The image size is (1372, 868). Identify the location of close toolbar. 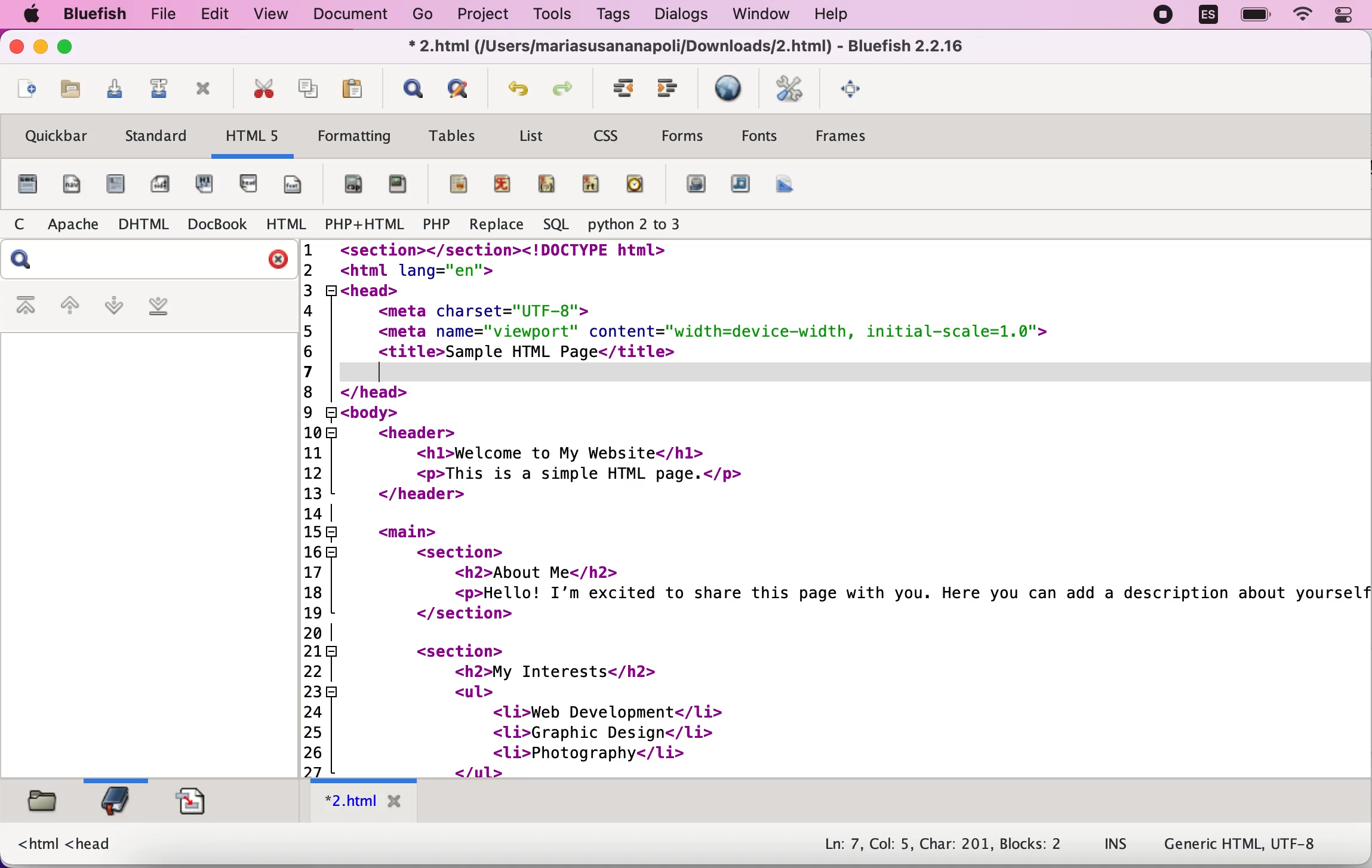
(208, 93).